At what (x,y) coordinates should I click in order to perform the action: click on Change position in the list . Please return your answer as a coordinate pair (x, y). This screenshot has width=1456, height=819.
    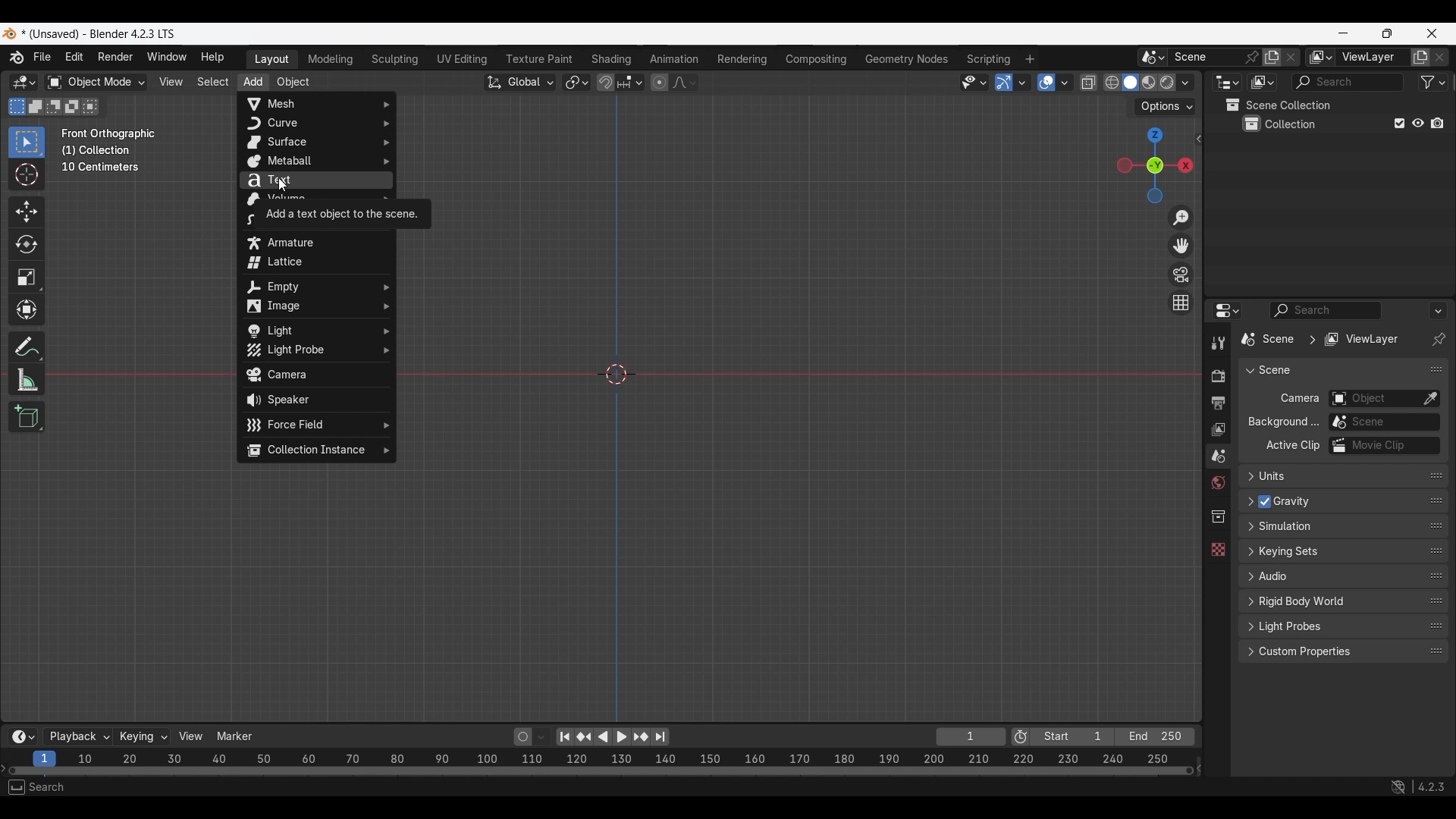
    Looking at the image, I should click on (1436, 475).